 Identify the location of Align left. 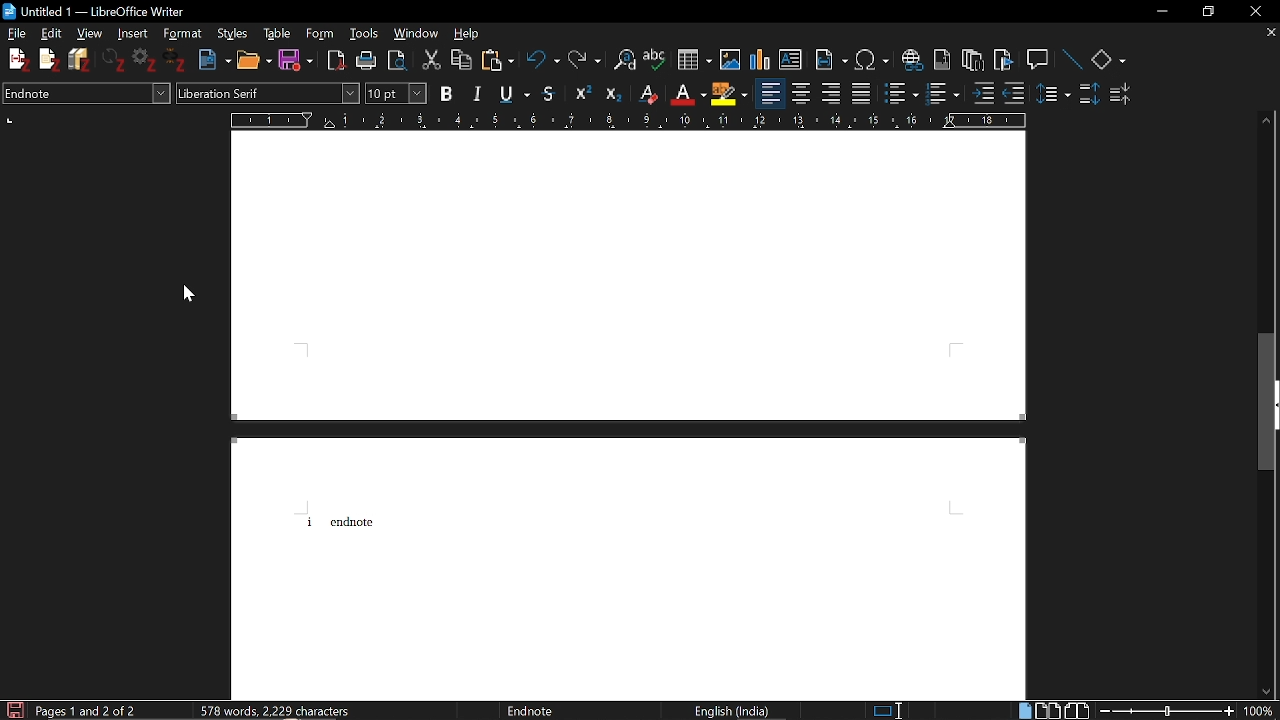
(771, 95).